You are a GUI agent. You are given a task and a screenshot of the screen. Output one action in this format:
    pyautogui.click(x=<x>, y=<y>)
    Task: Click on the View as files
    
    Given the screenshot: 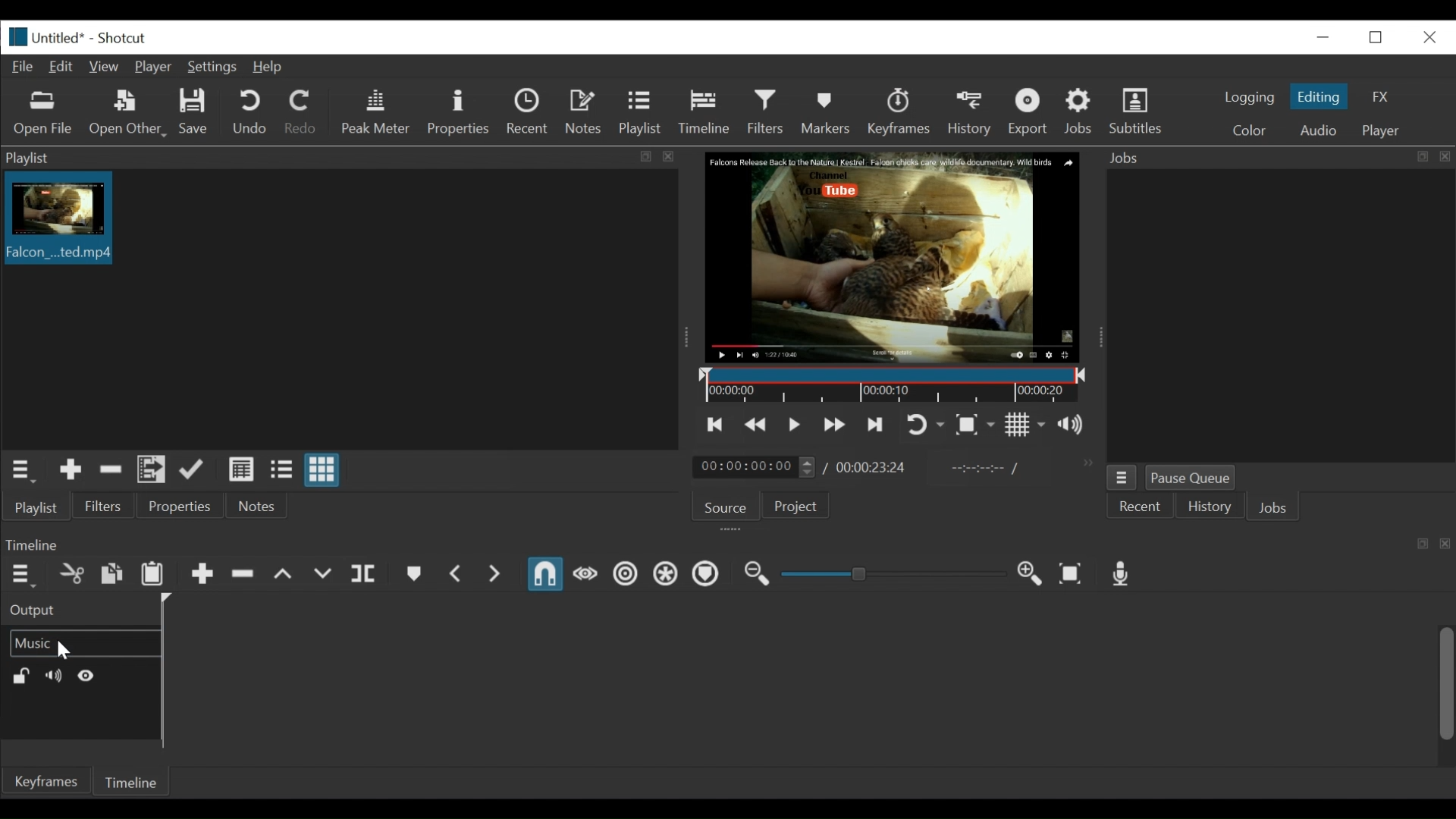 What is the action you would take?
    pyautogui.click(x=281, y=471)
    